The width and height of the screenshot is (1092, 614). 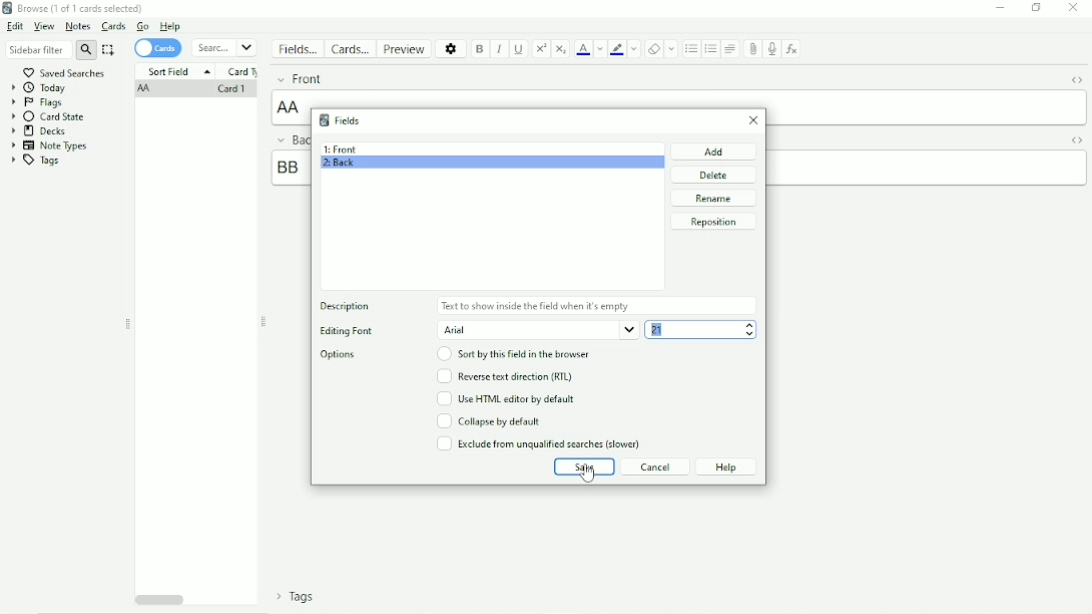 I want to click on Horizontal scrollbar, so click(x=160, y=598).